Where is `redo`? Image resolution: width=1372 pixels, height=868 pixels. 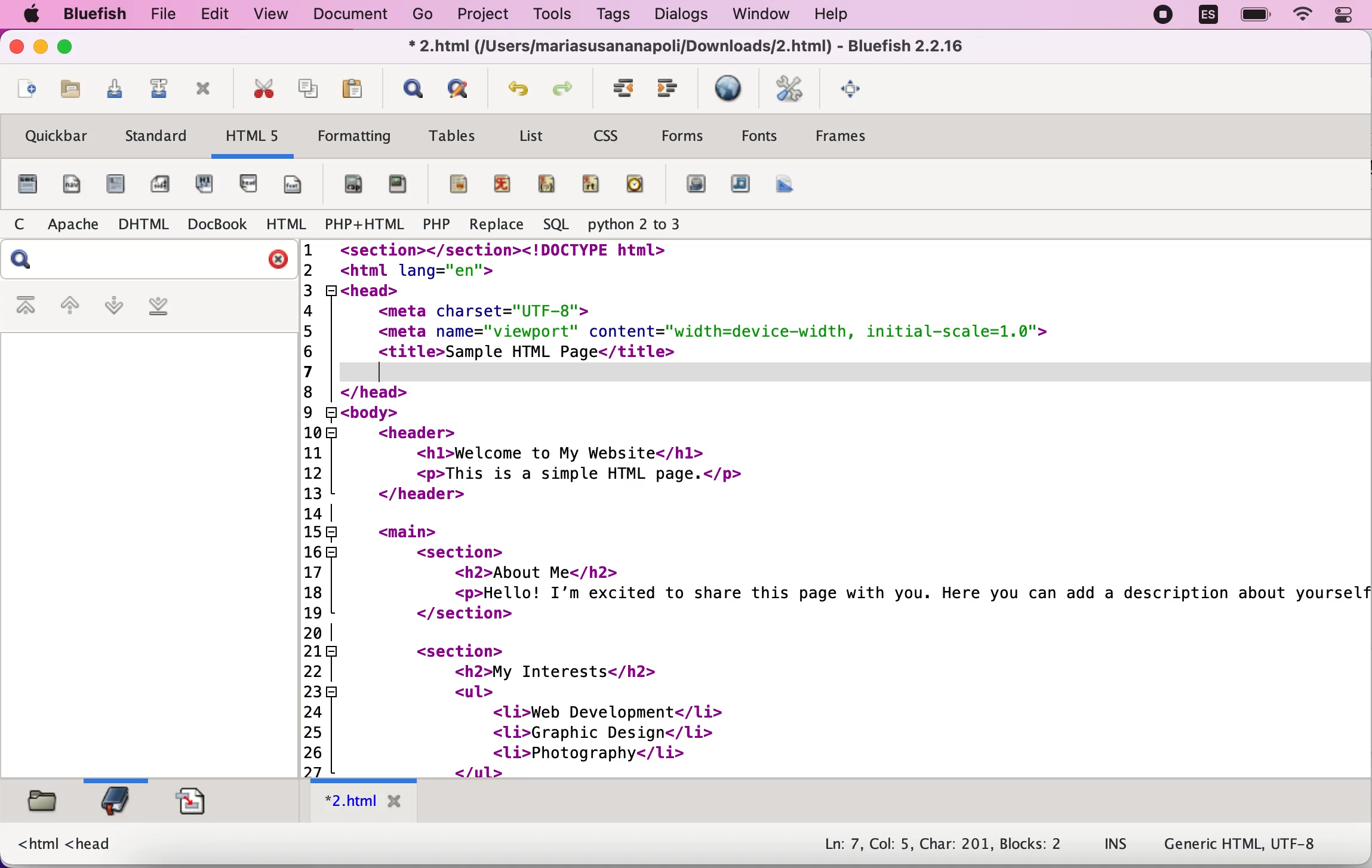 redo is located at coordinates (570, 89).